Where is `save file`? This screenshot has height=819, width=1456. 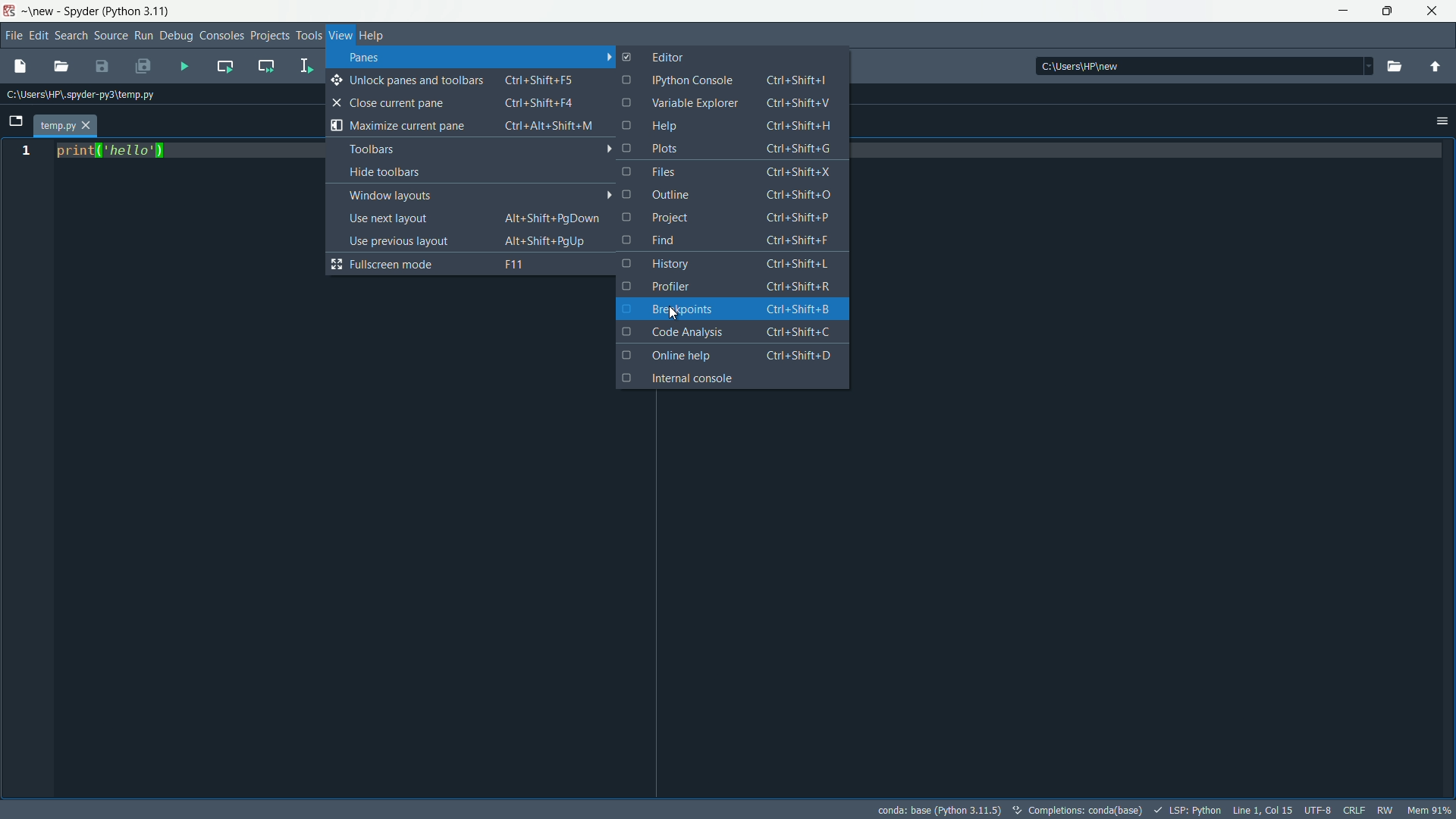
save file is located at coordinates (102, 66).